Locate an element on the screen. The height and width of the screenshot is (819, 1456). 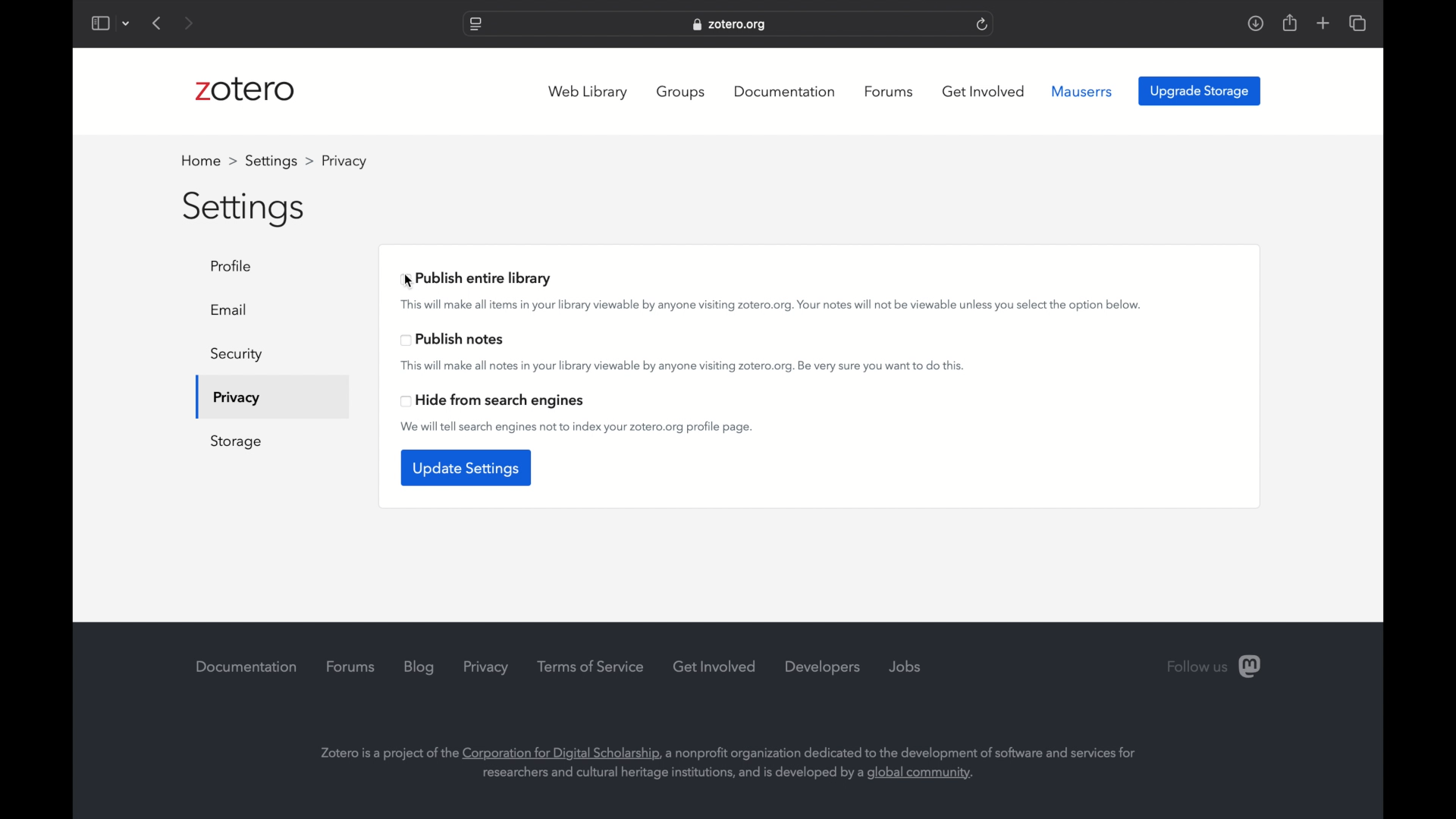
share is located at coordinates (1291, 22).